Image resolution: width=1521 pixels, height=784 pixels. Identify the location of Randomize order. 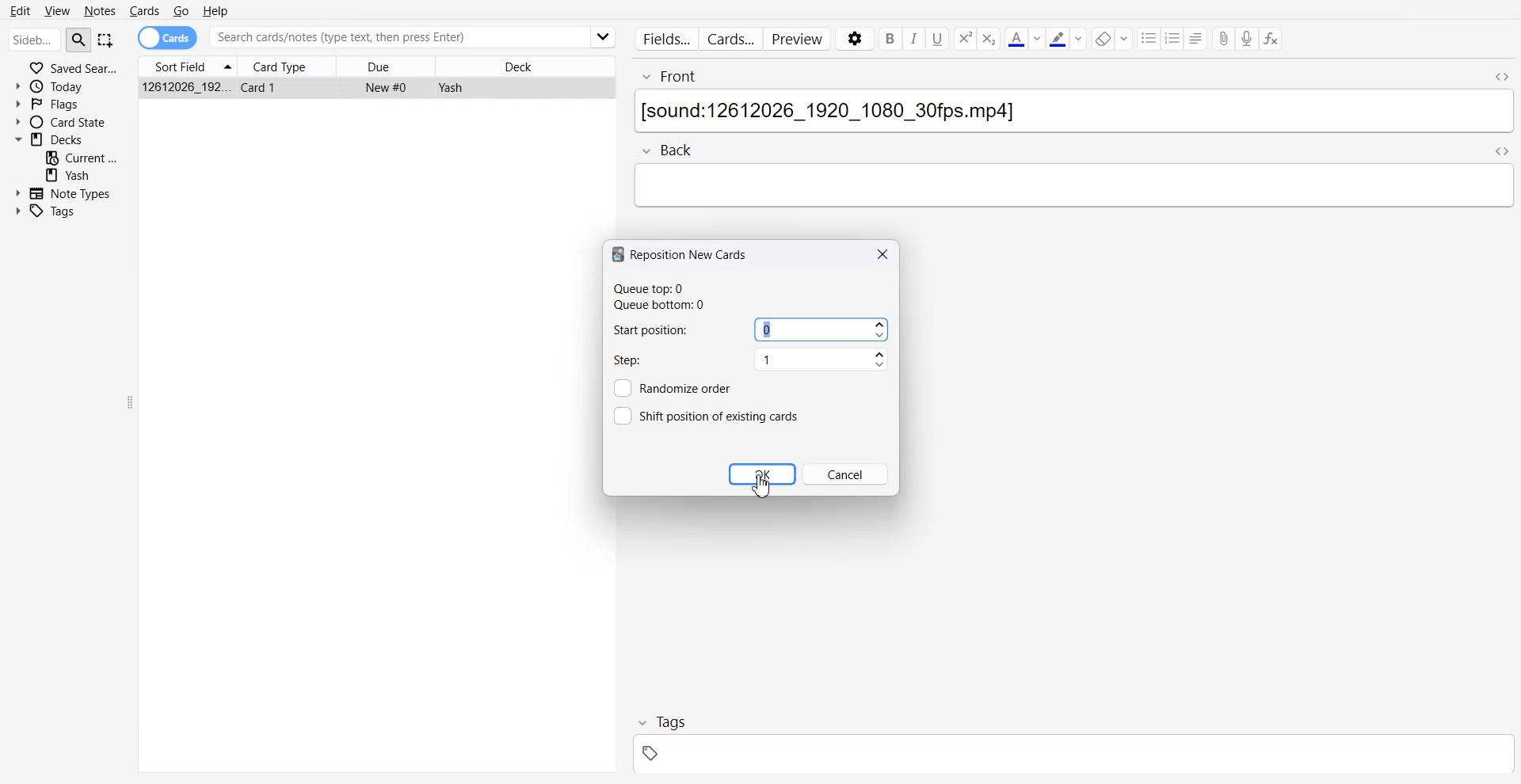
(692, 387).